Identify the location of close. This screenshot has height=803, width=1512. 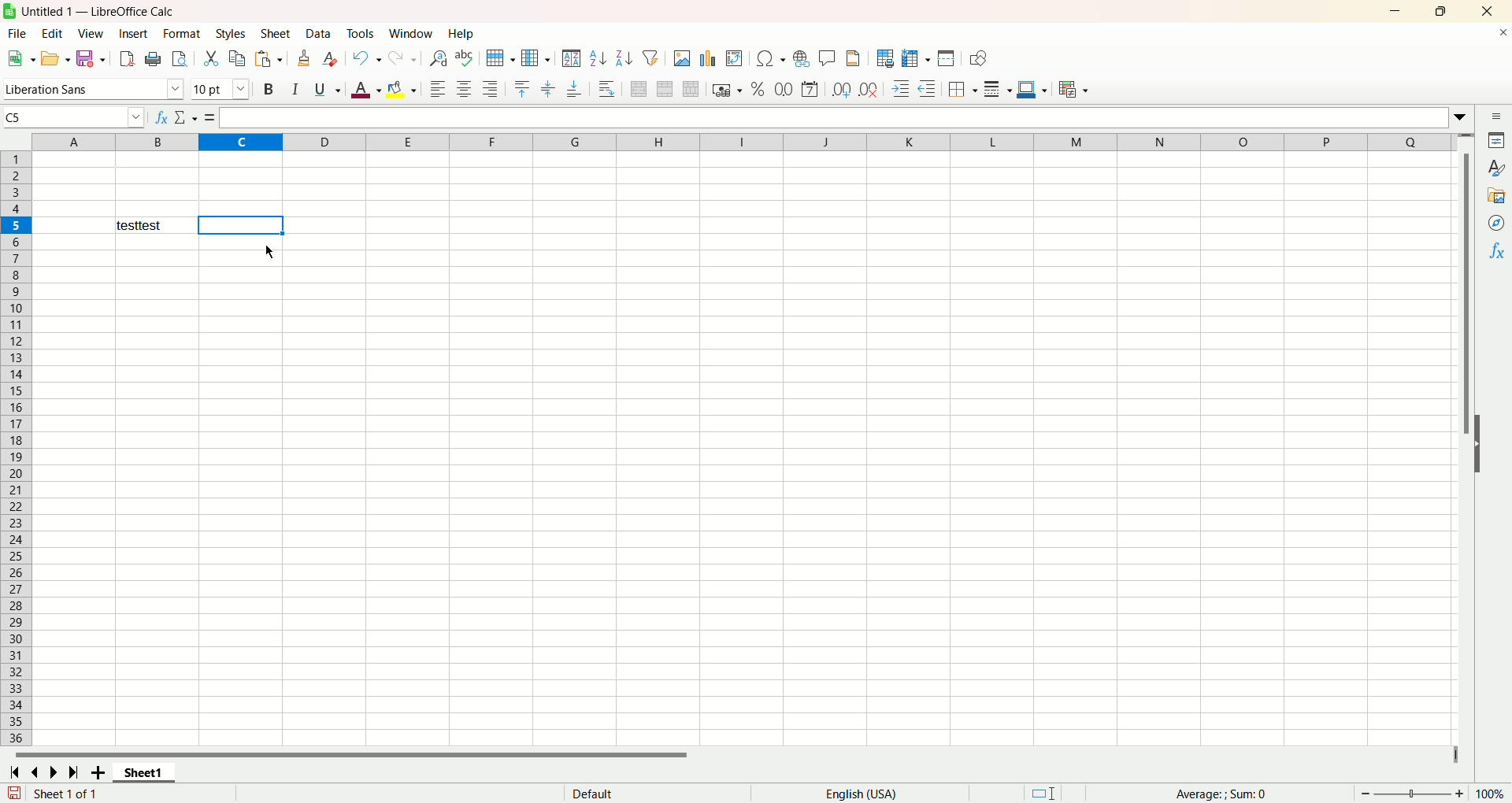
(1499, 35).